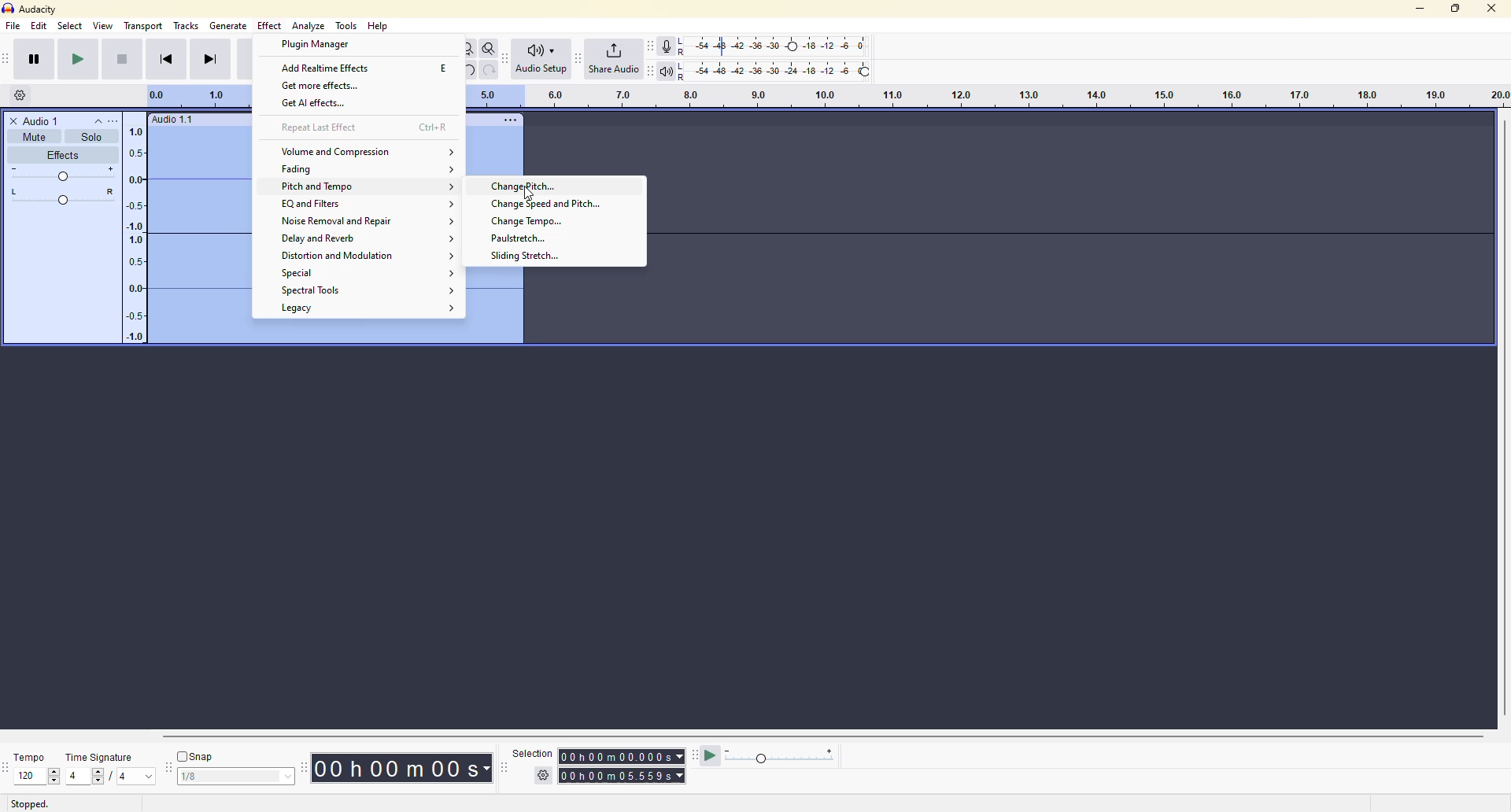  I want to click on solo, so click(91, 136).